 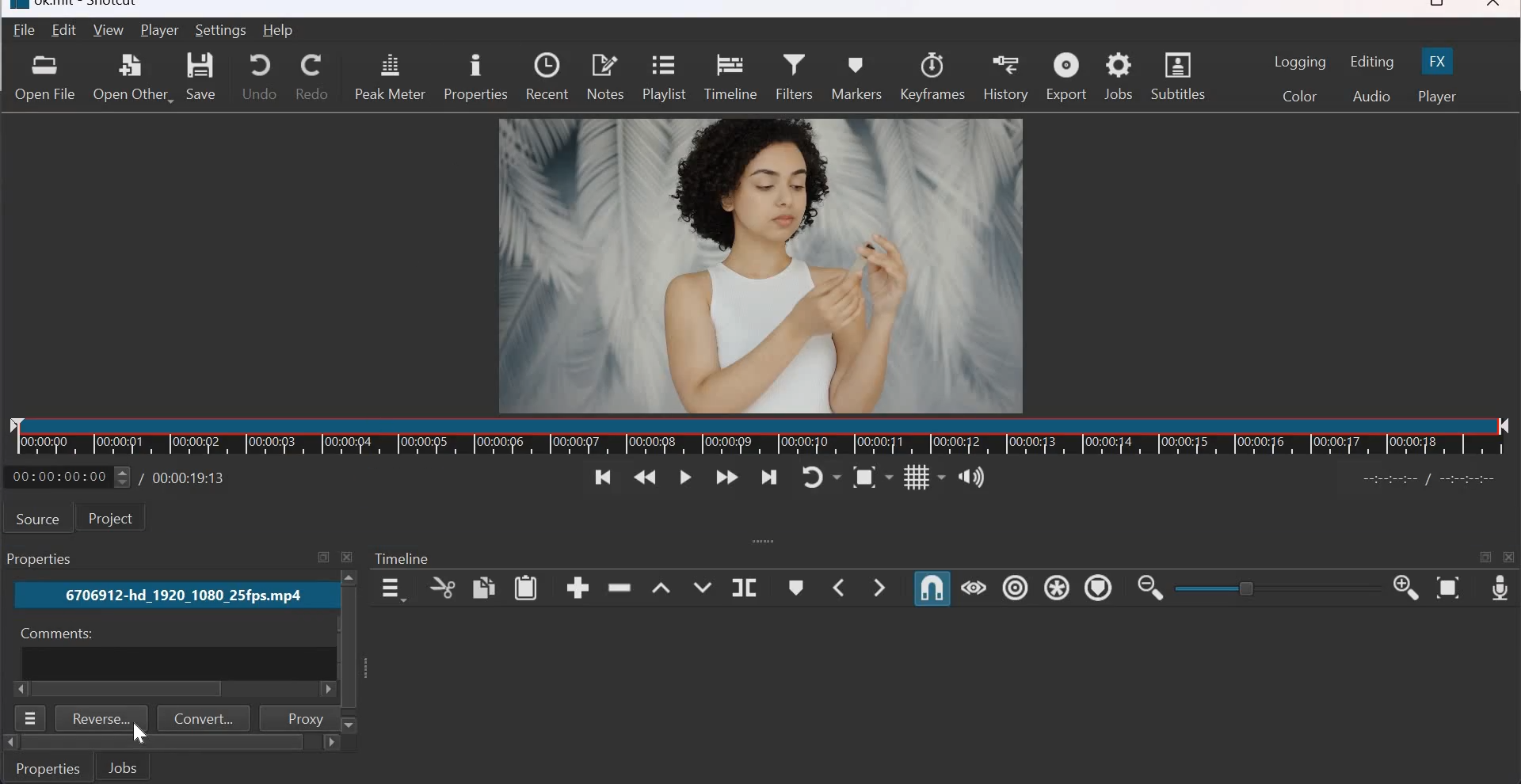 I want to click on Skip to the next point, so click(x=770, y=478).